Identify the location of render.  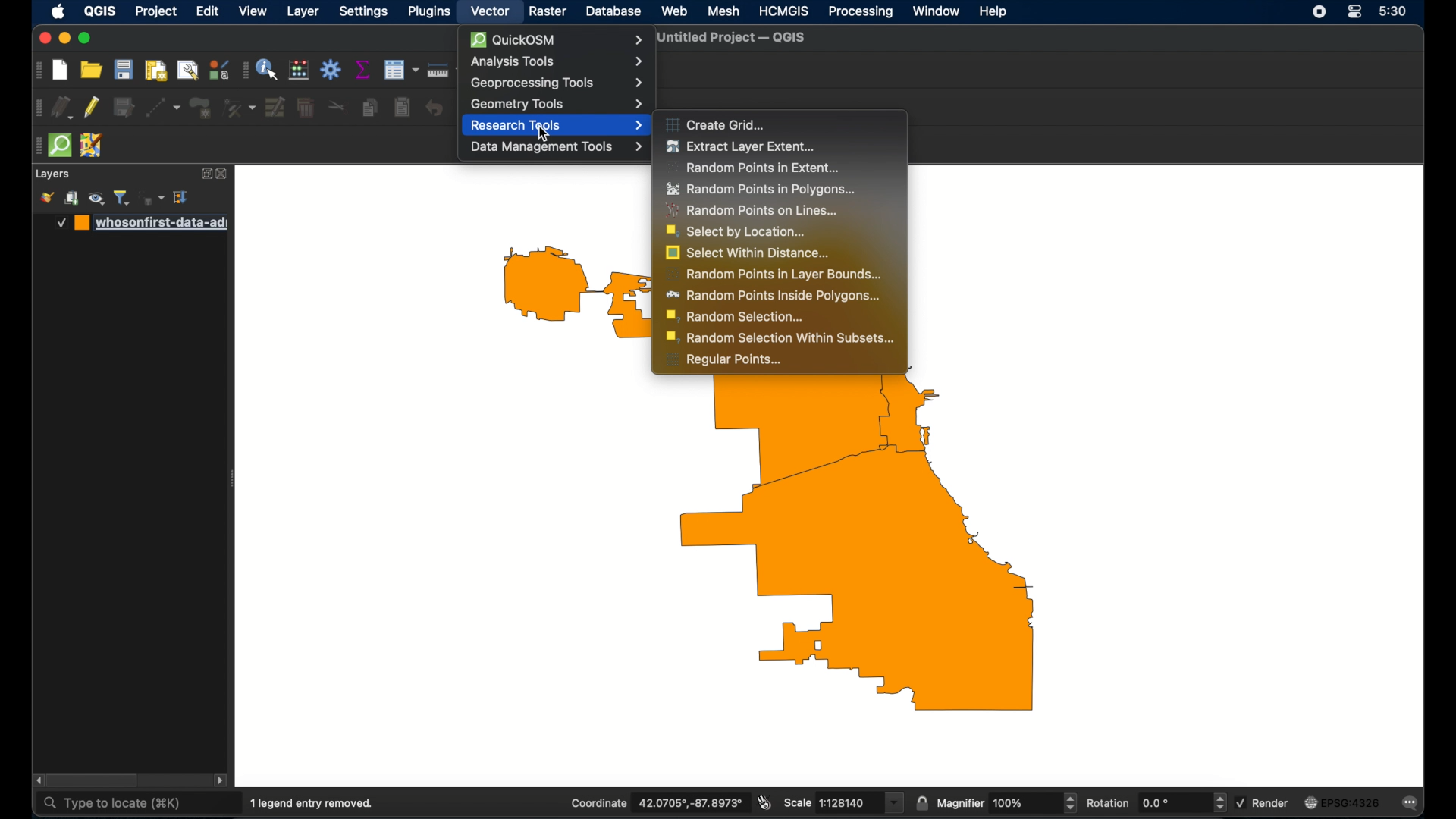
(1262, 803).